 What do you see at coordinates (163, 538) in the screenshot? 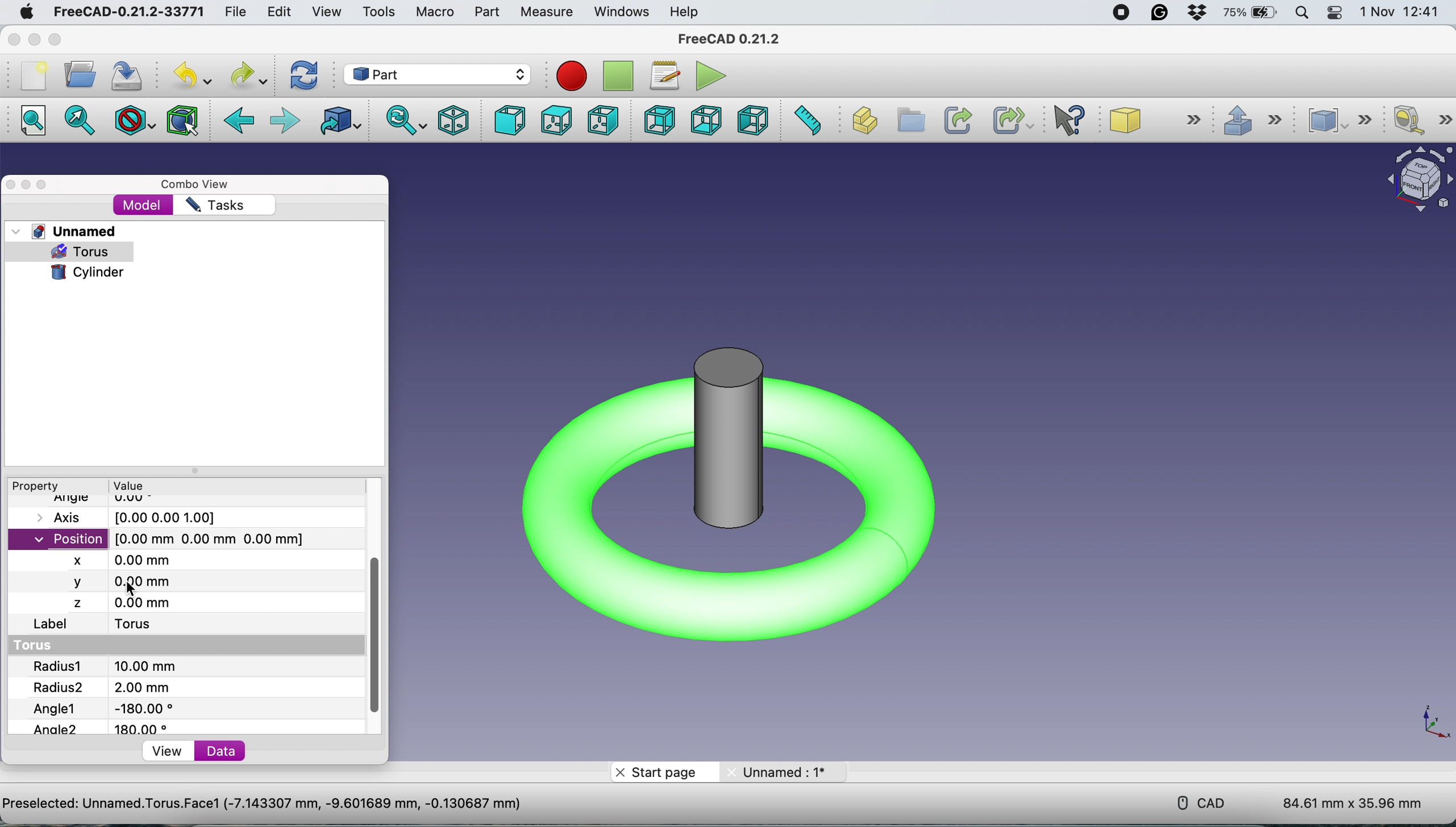
I see `Position` at bounding box center [163, 538].